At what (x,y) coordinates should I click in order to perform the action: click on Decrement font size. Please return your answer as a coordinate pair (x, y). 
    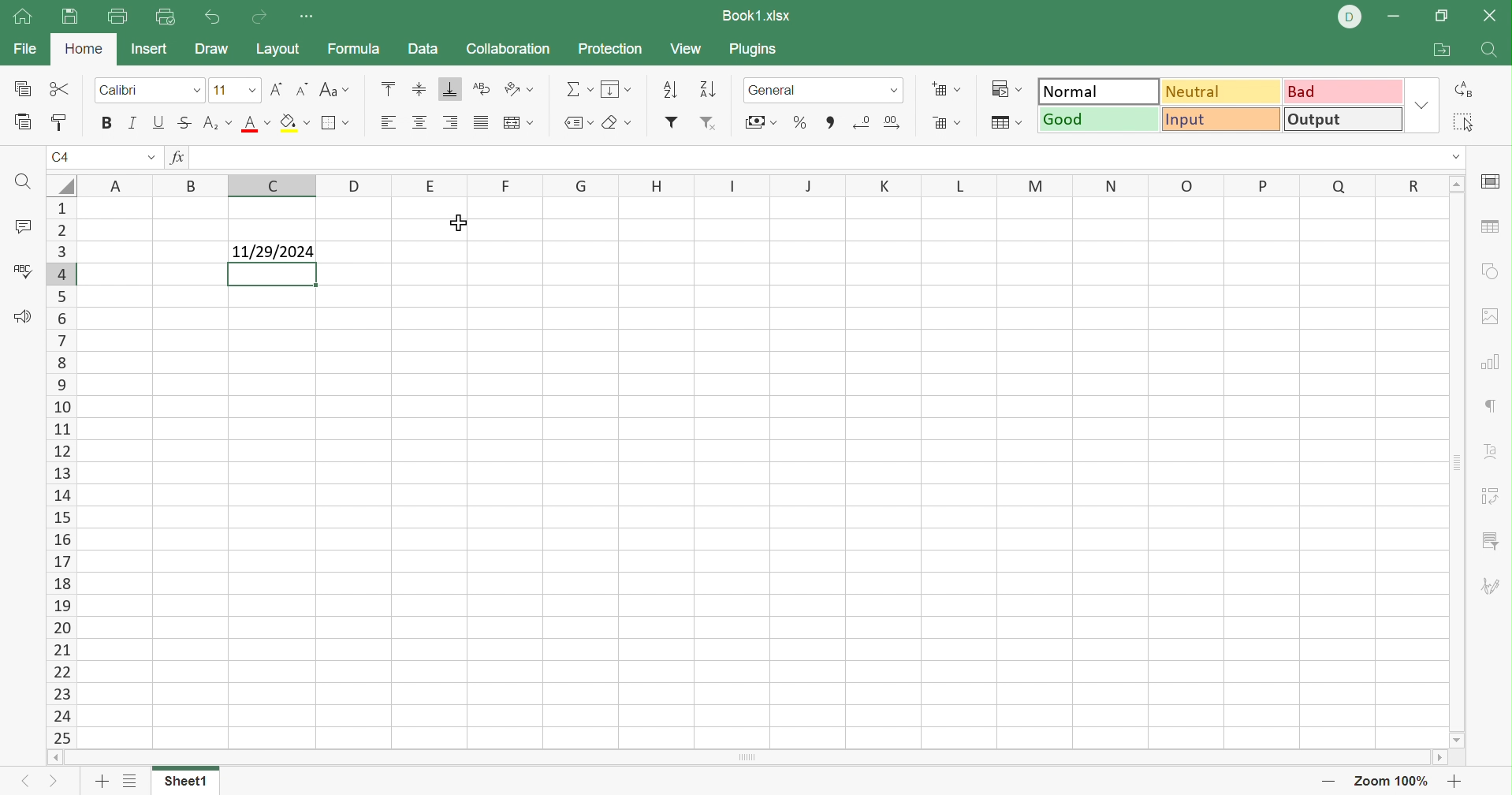
    Looking at the image, I should click on (299, 88).